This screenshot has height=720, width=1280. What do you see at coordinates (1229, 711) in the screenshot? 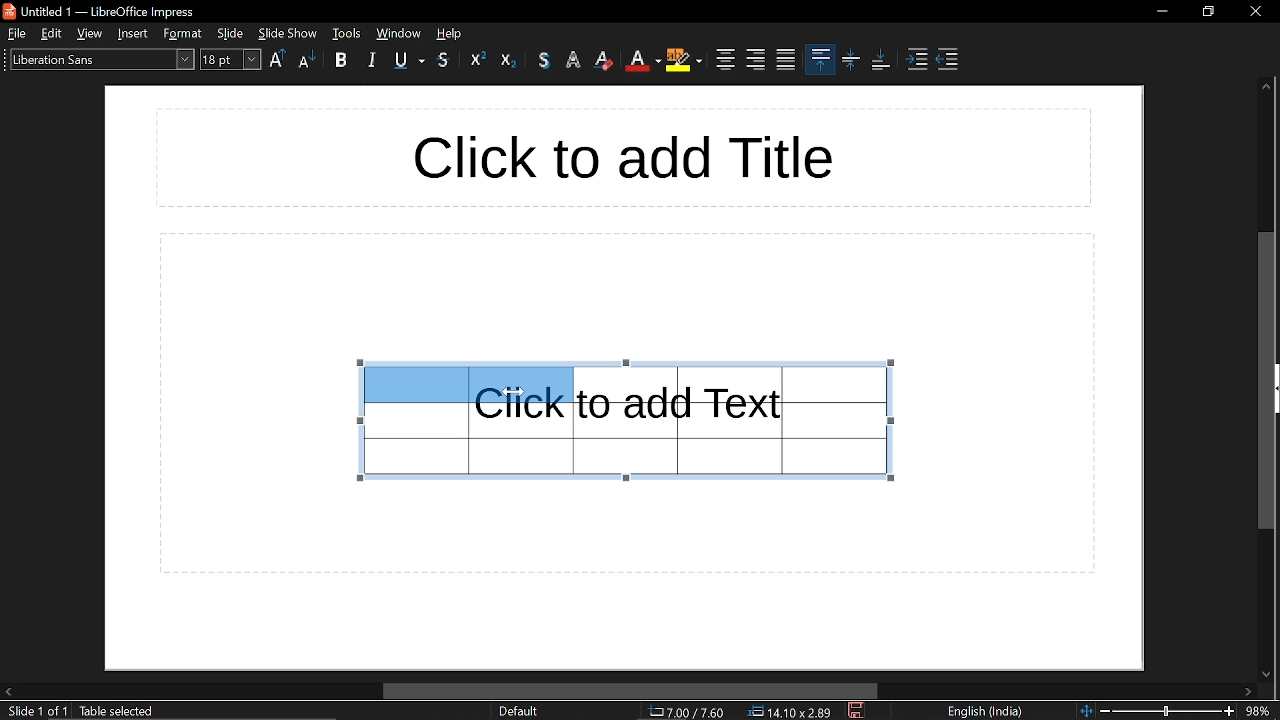
I see `zoom in` at bounding box center [1229, 711].